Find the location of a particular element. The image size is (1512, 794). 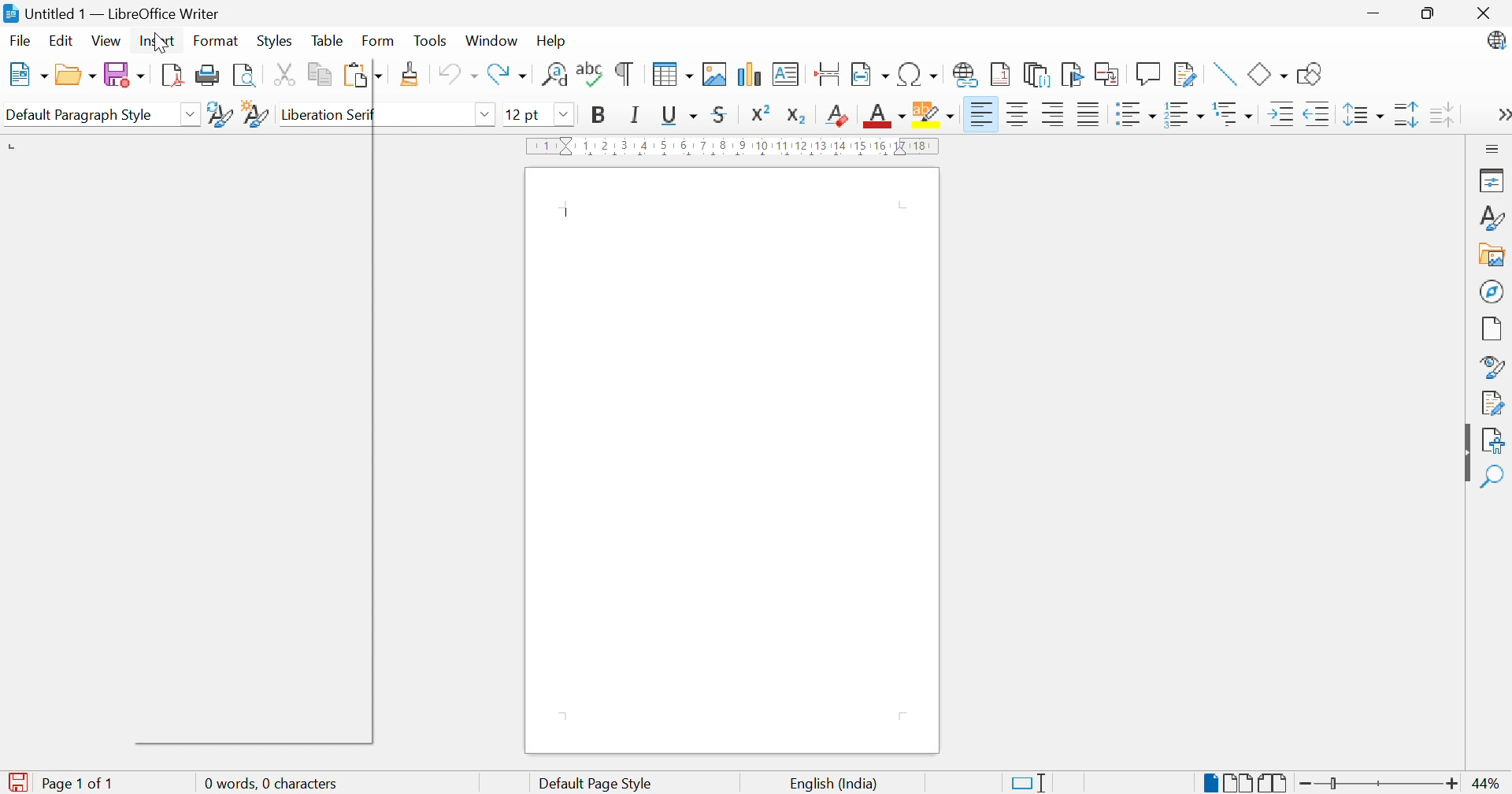

Subscript is located at coordinates (836, 117).